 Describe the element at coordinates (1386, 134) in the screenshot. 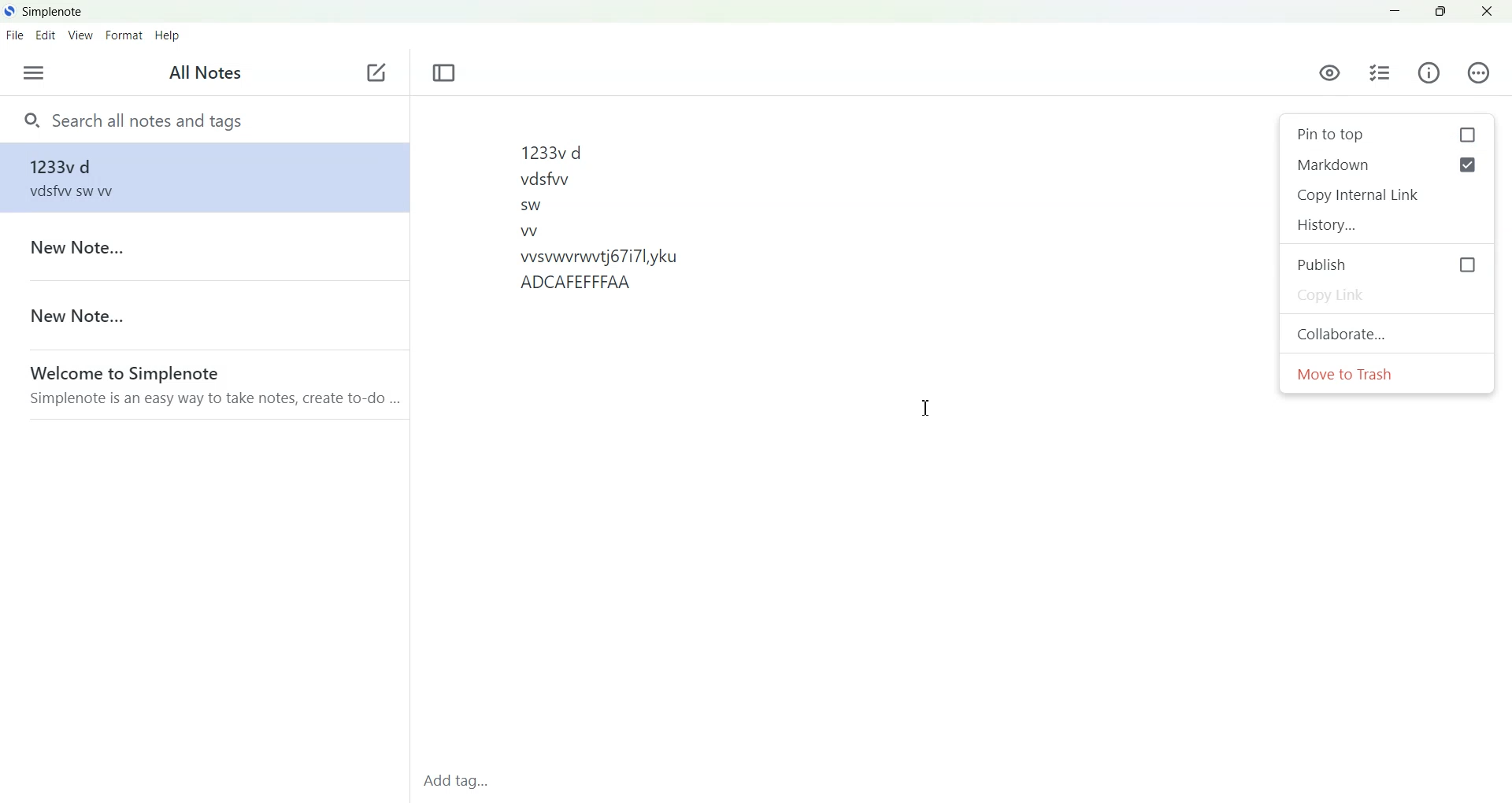

I see `Pin to top checkbox` at that location.